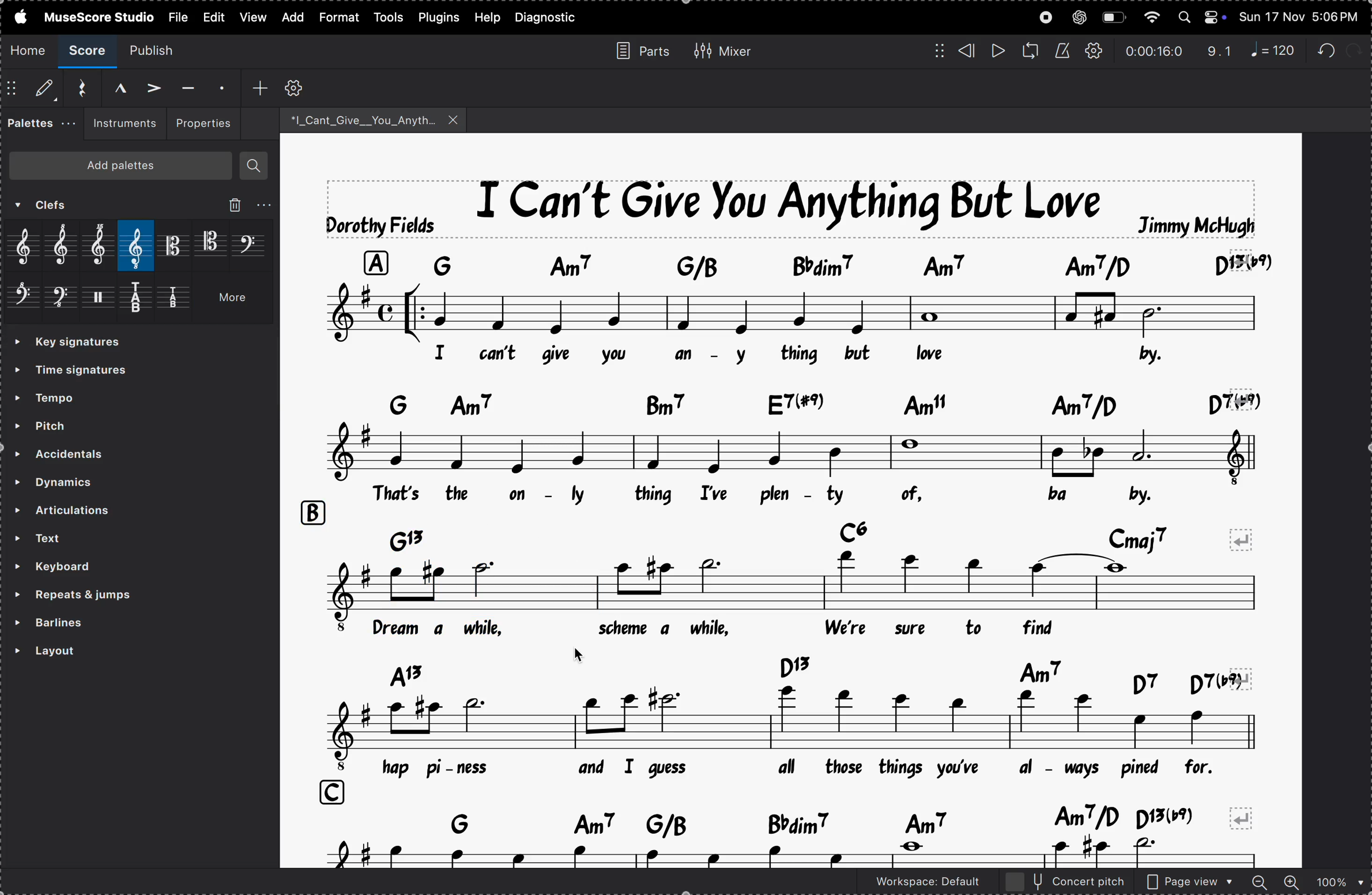 This screenshot has width=1372, height=895. What do you see at coordinates (296, 87) in the screenshot?
I see `customize toolbar` at bounding box center [296, 87].